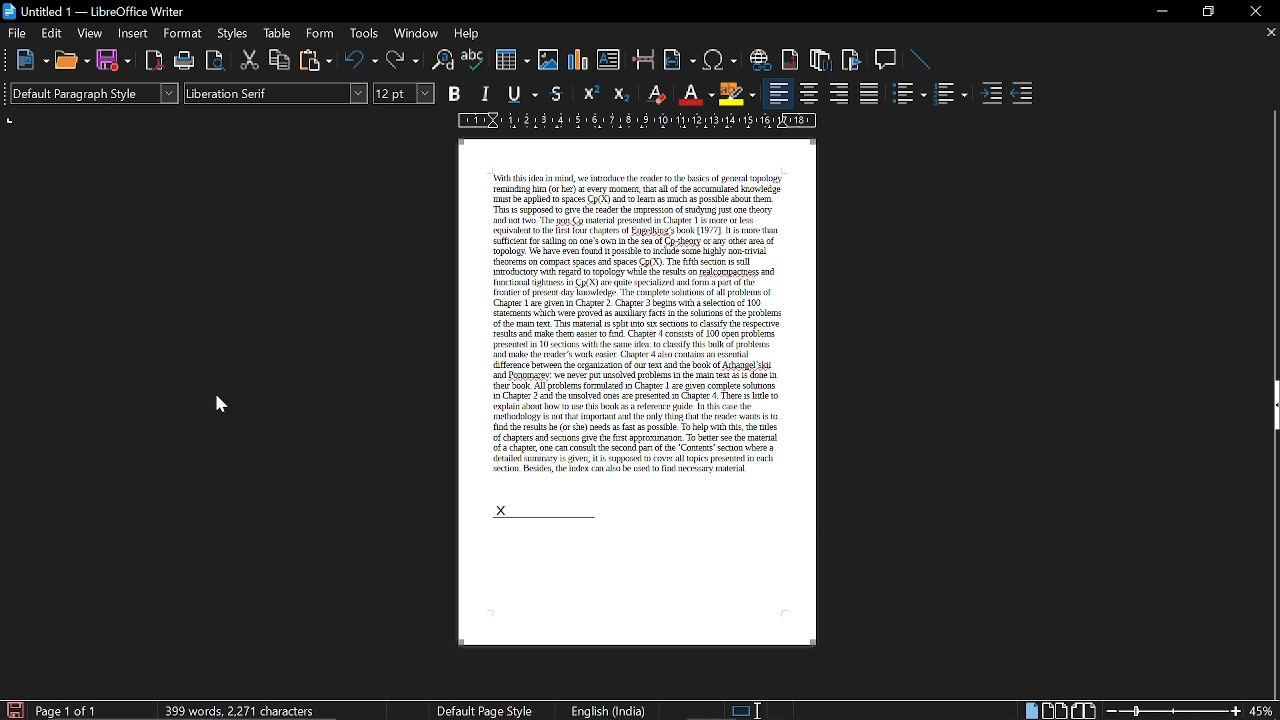 This screenshot has height=720, width=1280. Describe the element at coordinates (92, 92) in the screenshot. I see `paragraph style` at that location.